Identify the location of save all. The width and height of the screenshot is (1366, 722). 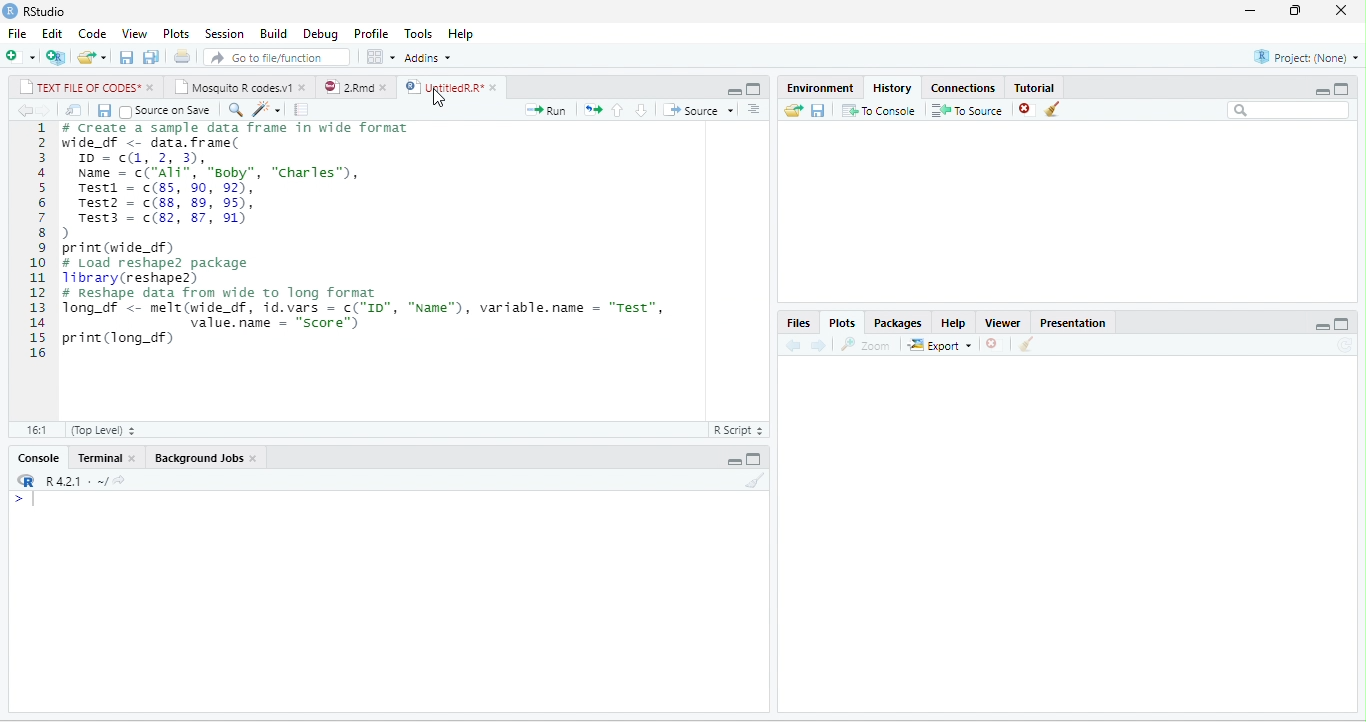
(151, 57).